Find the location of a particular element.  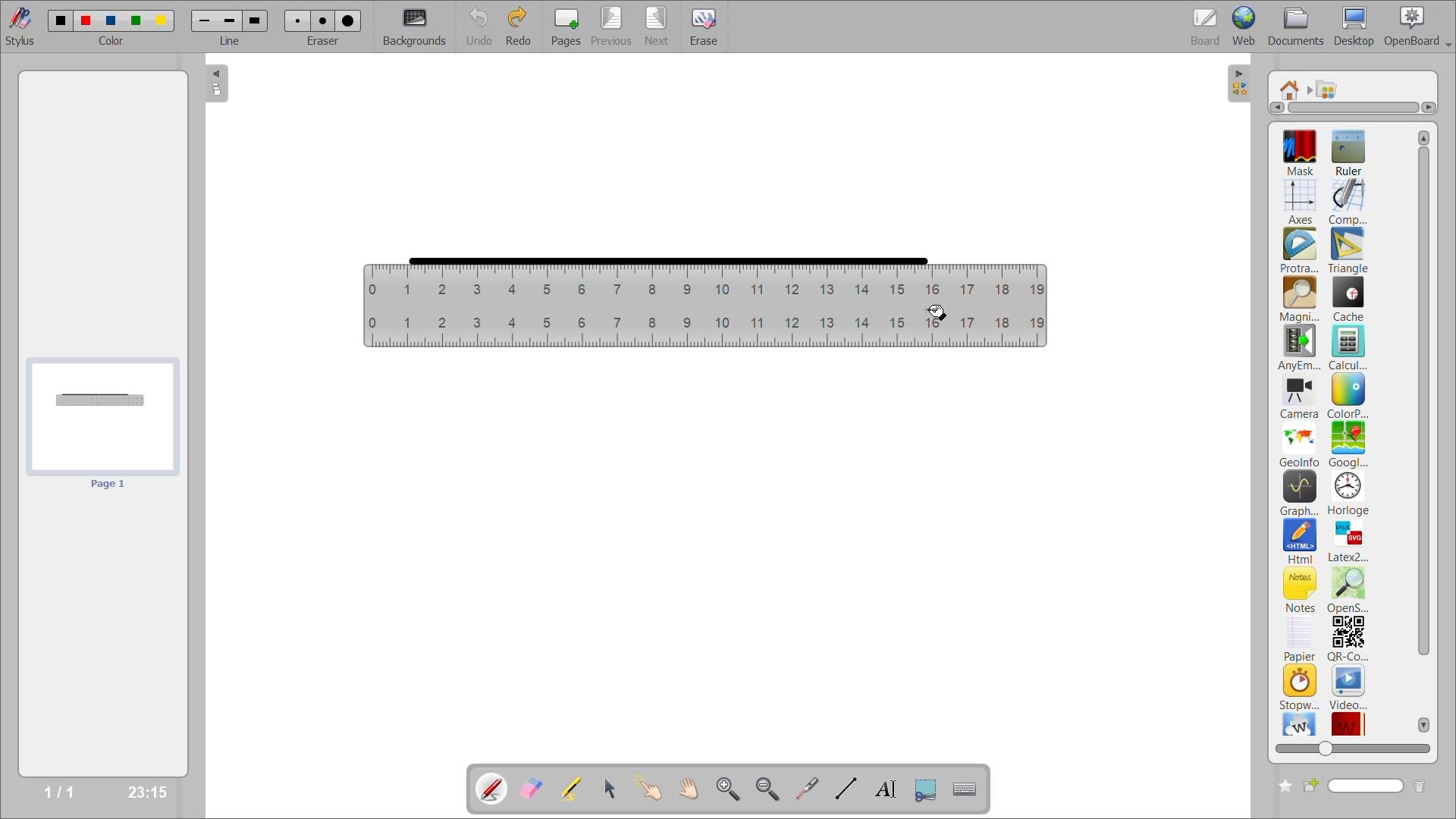

html is located at coordinates (1301, 542).